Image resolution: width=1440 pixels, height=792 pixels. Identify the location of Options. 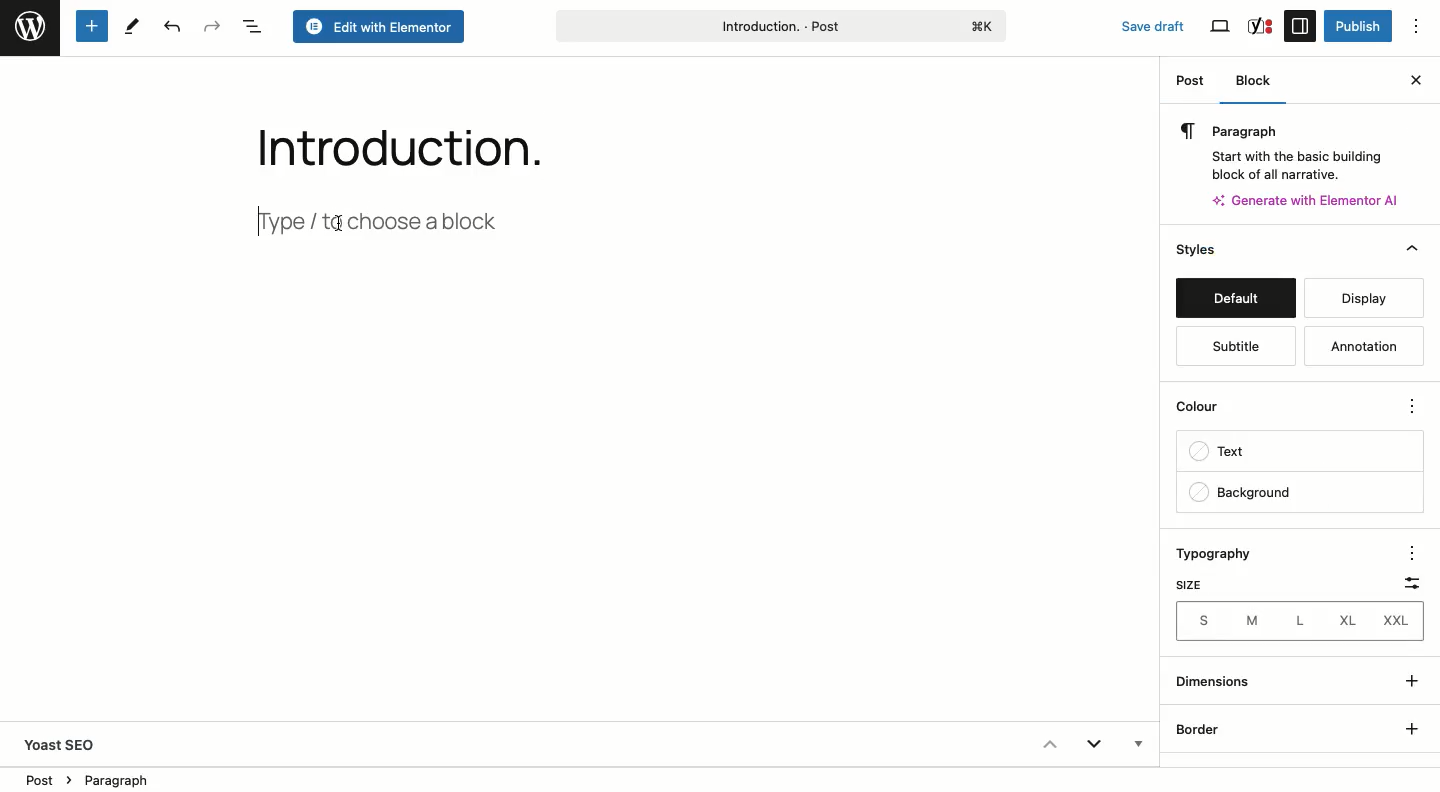
(1425, 27).